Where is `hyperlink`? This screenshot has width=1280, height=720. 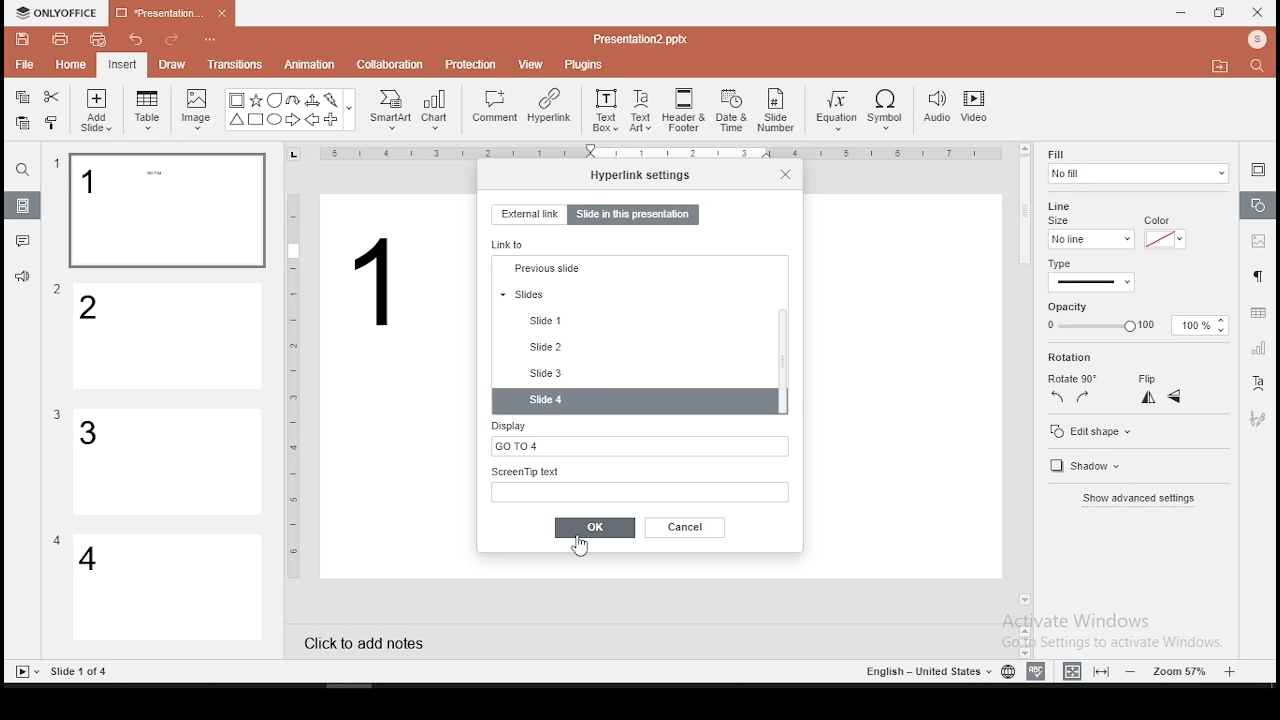 hyperlink is located at coordinates (548, 105).